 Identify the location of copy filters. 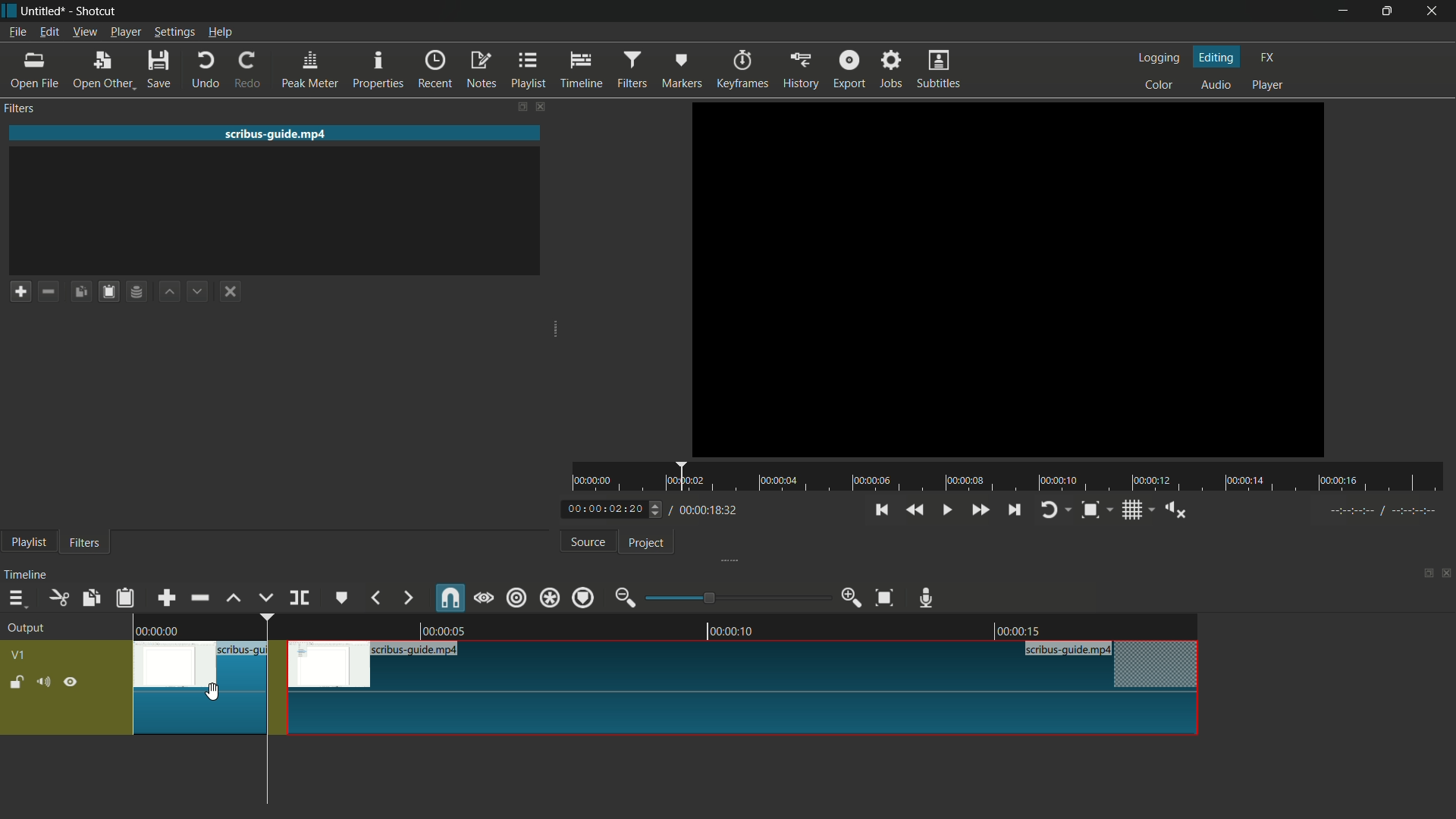
(81, 292).